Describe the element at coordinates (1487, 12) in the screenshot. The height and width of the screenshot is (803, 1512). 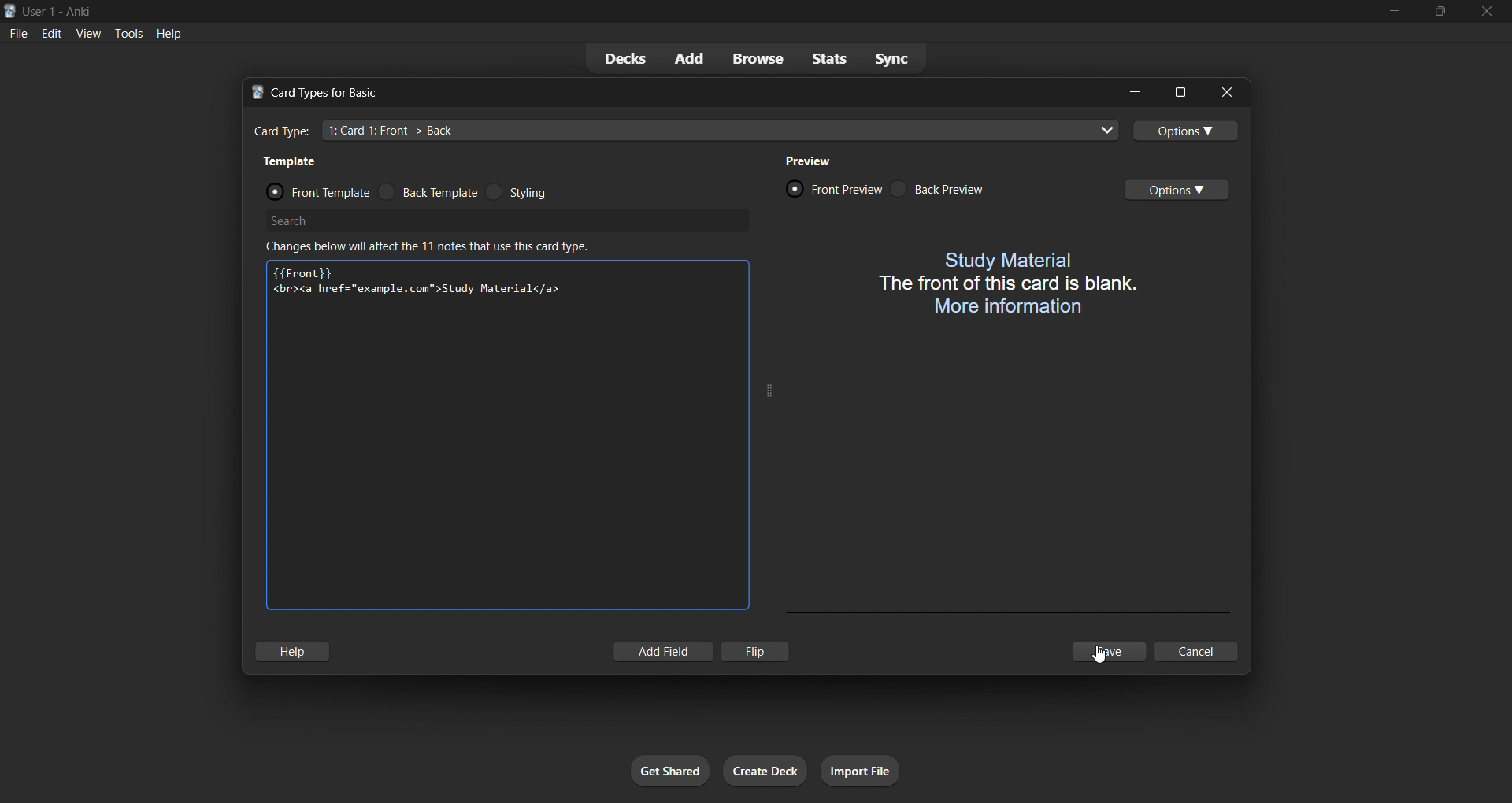
I see `close` at that location.